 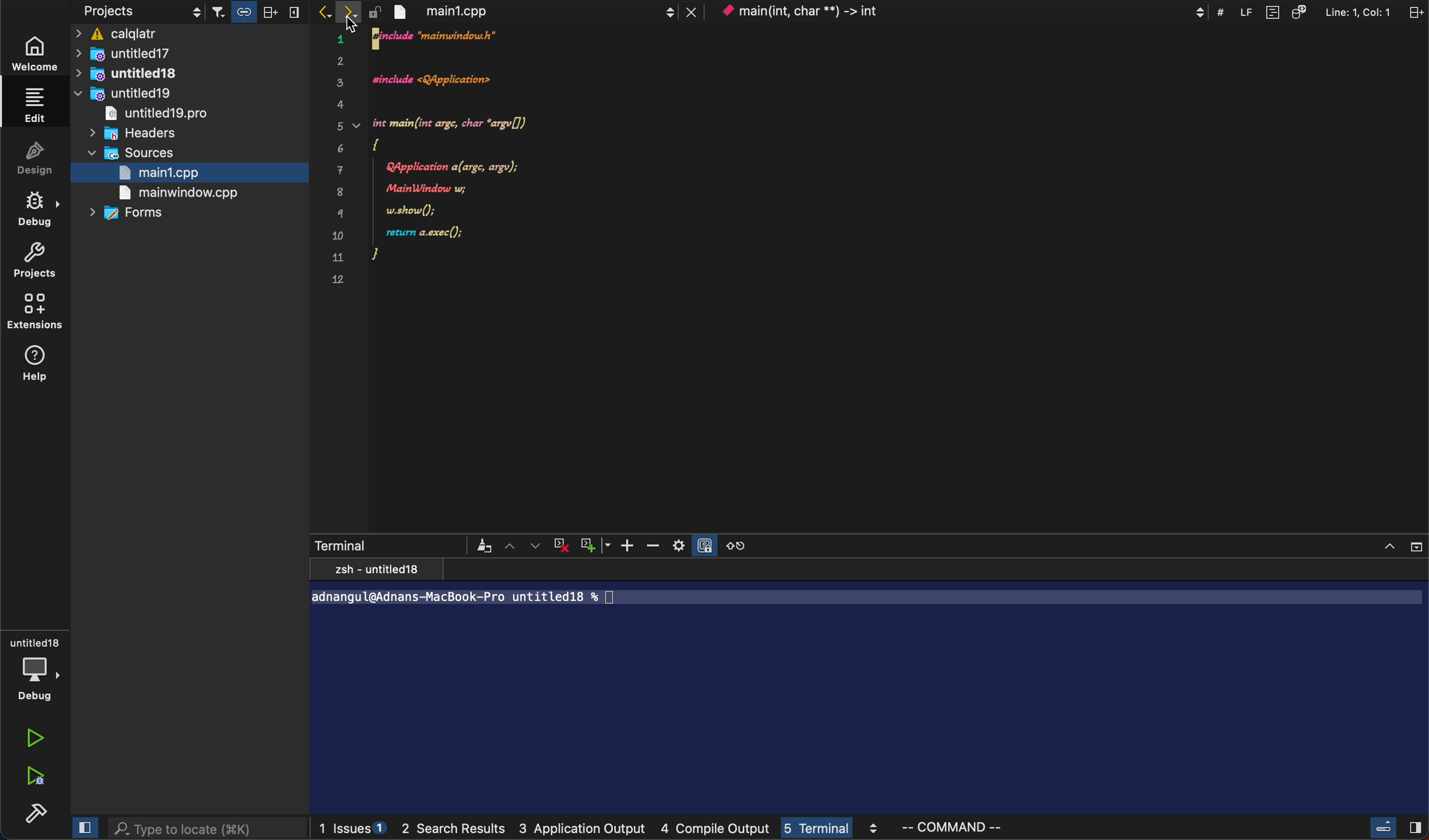 I want to click on application output, so click(x=582, y=830).